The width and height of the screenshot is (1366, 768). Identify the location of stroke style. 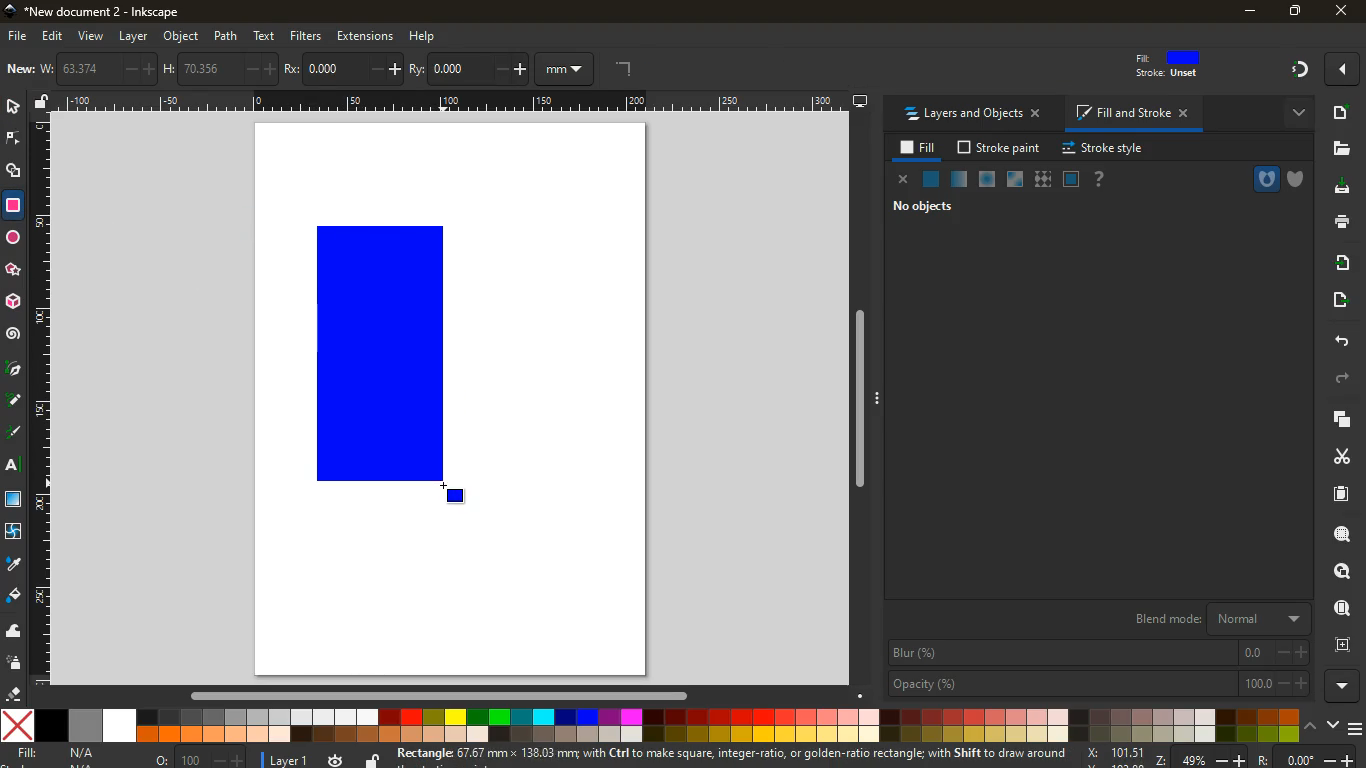
(1103, 149).